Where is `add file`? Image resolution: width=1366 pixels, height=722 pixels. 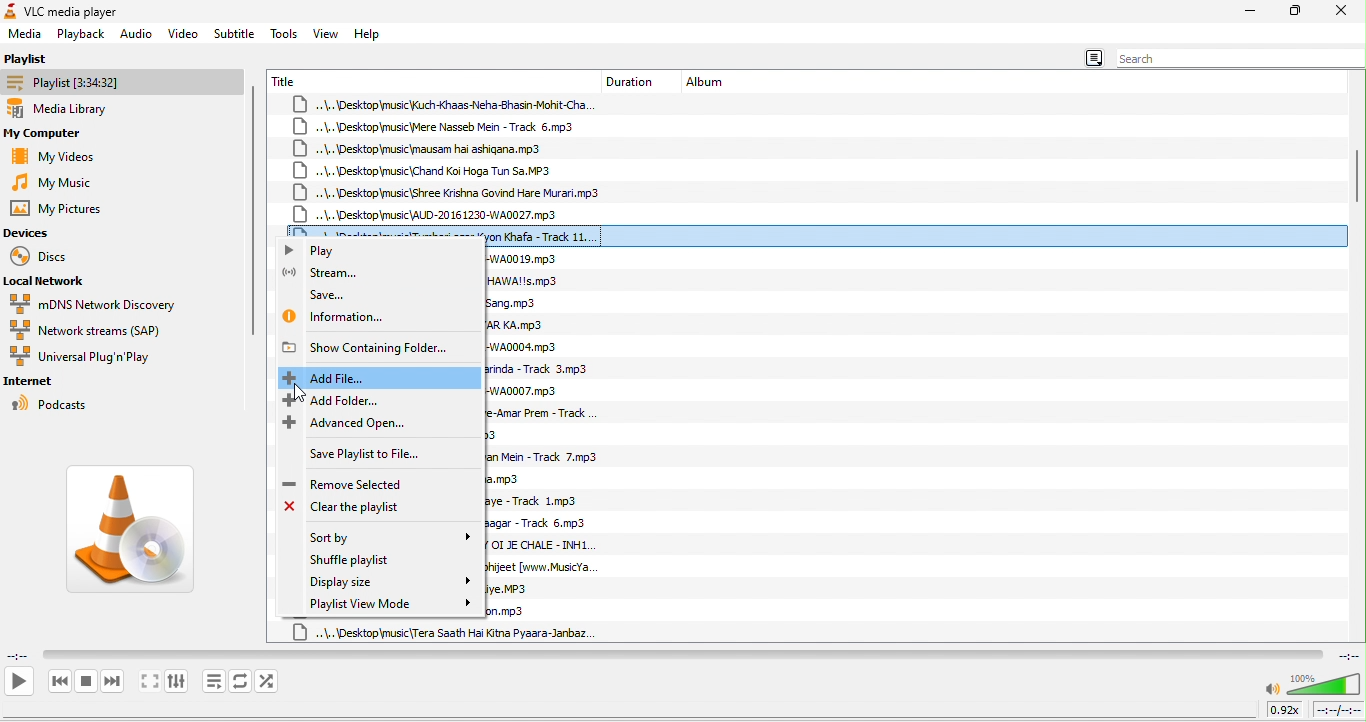 add file is located at coordinates (379, 377).